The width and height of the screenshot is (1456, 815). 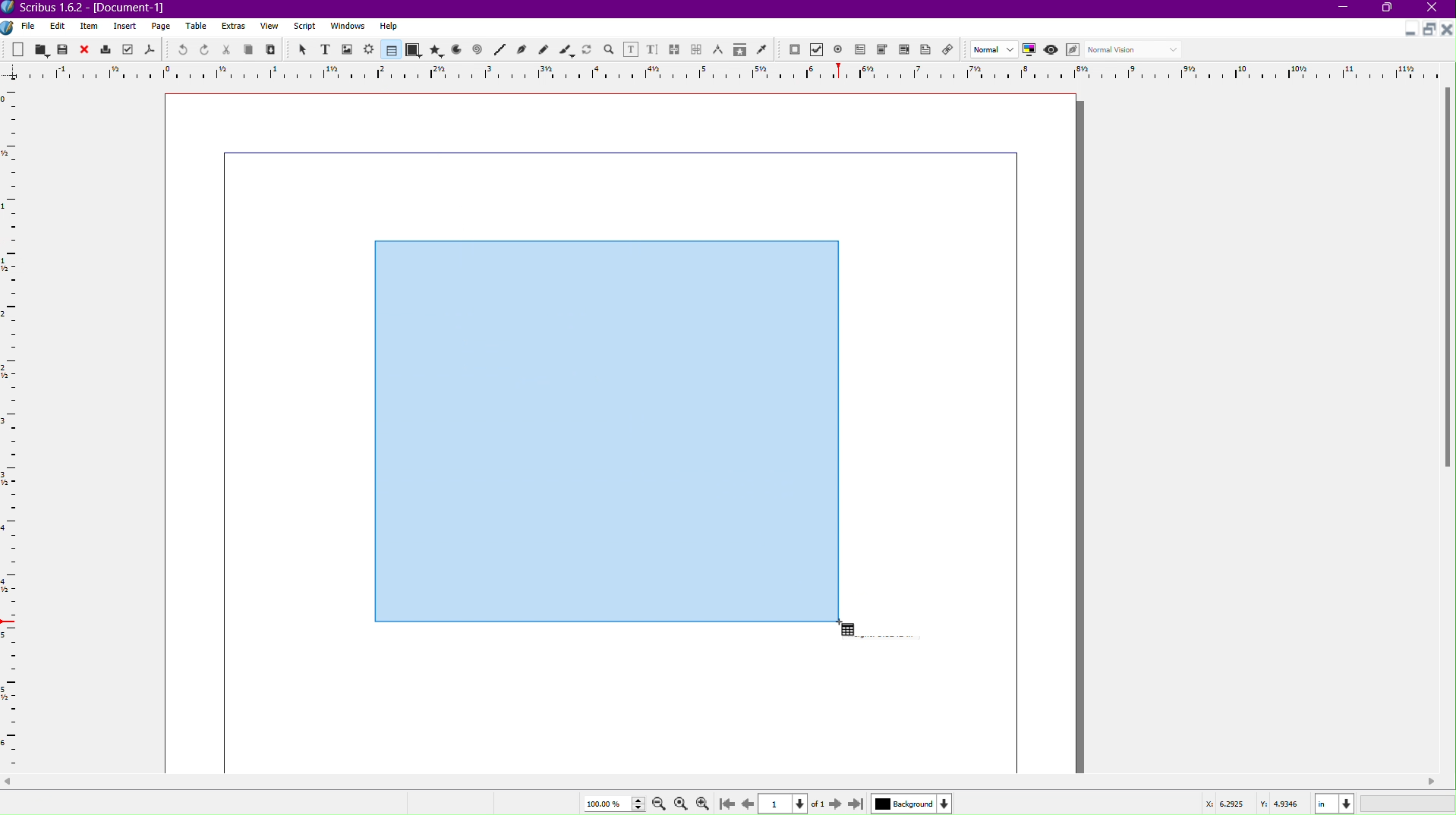 I want to click on Background Color, so click(x=909, y=803).